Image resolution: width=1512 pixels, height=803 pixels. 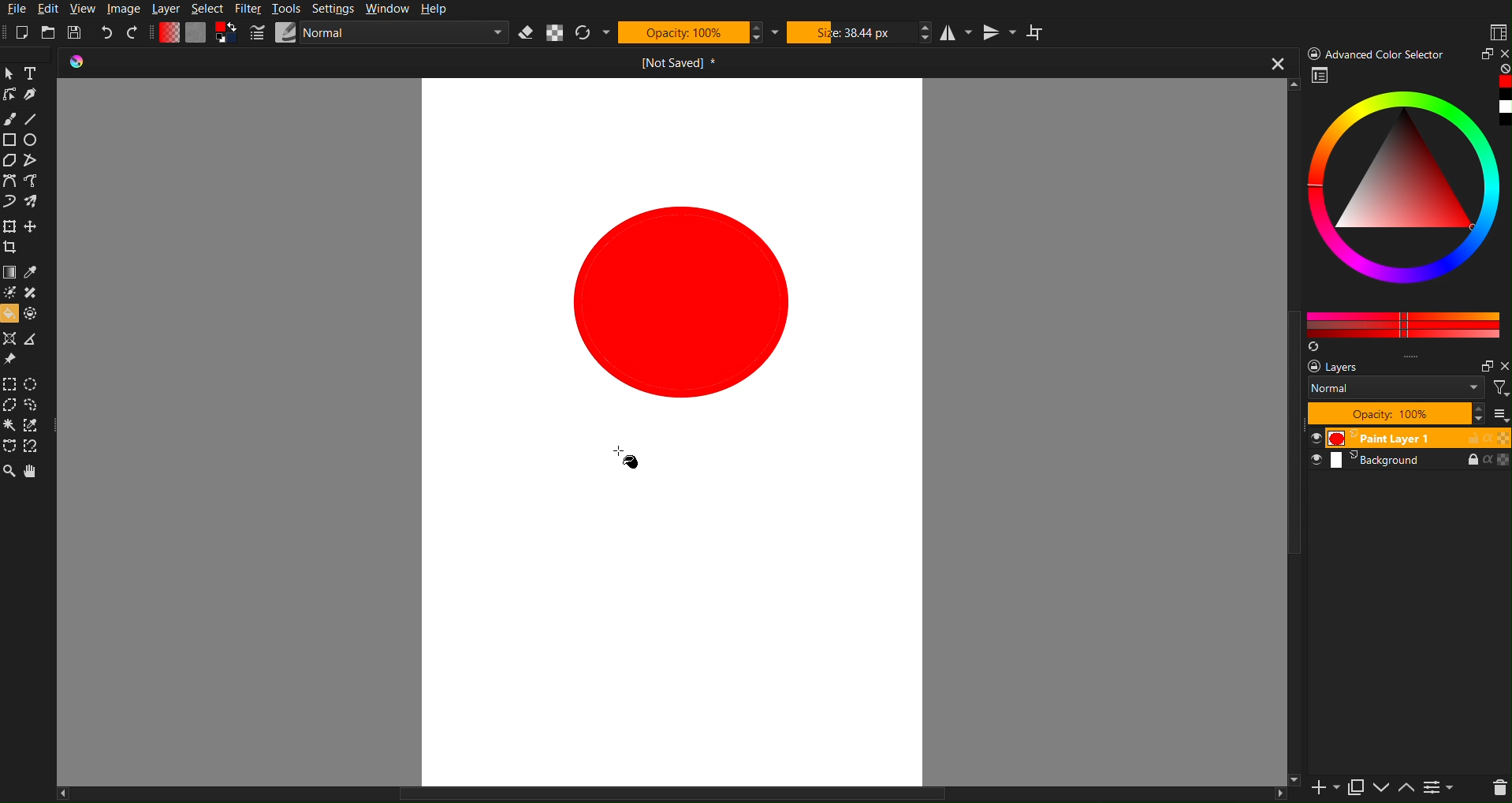 What do you see at coordinates (34, 427) in the screenshot?
I see `Similar Color` at bounding box center [34, 427].